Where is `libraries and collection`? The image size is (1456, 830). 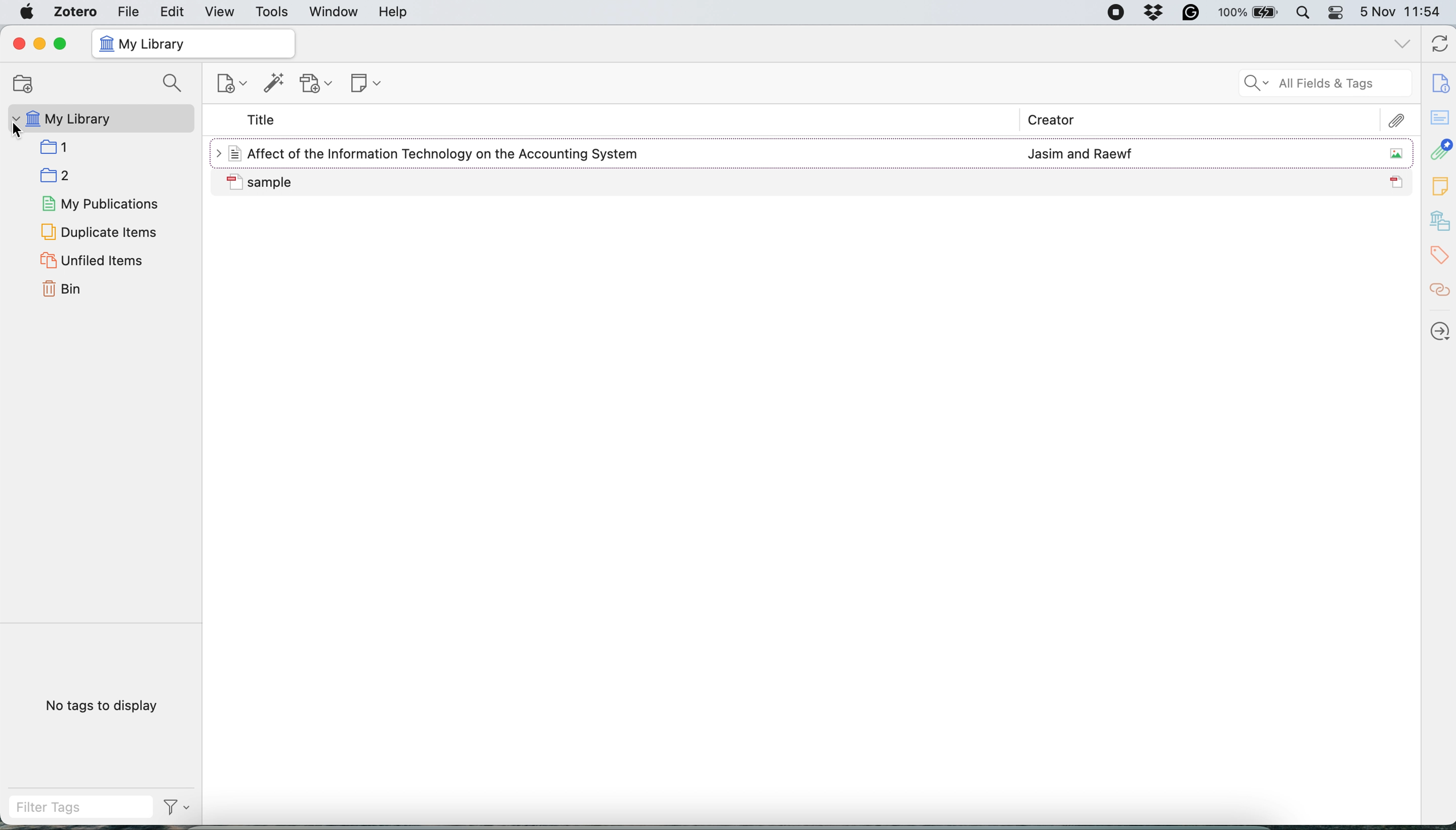
libraries and collection is located at coordinates (1438, 219).